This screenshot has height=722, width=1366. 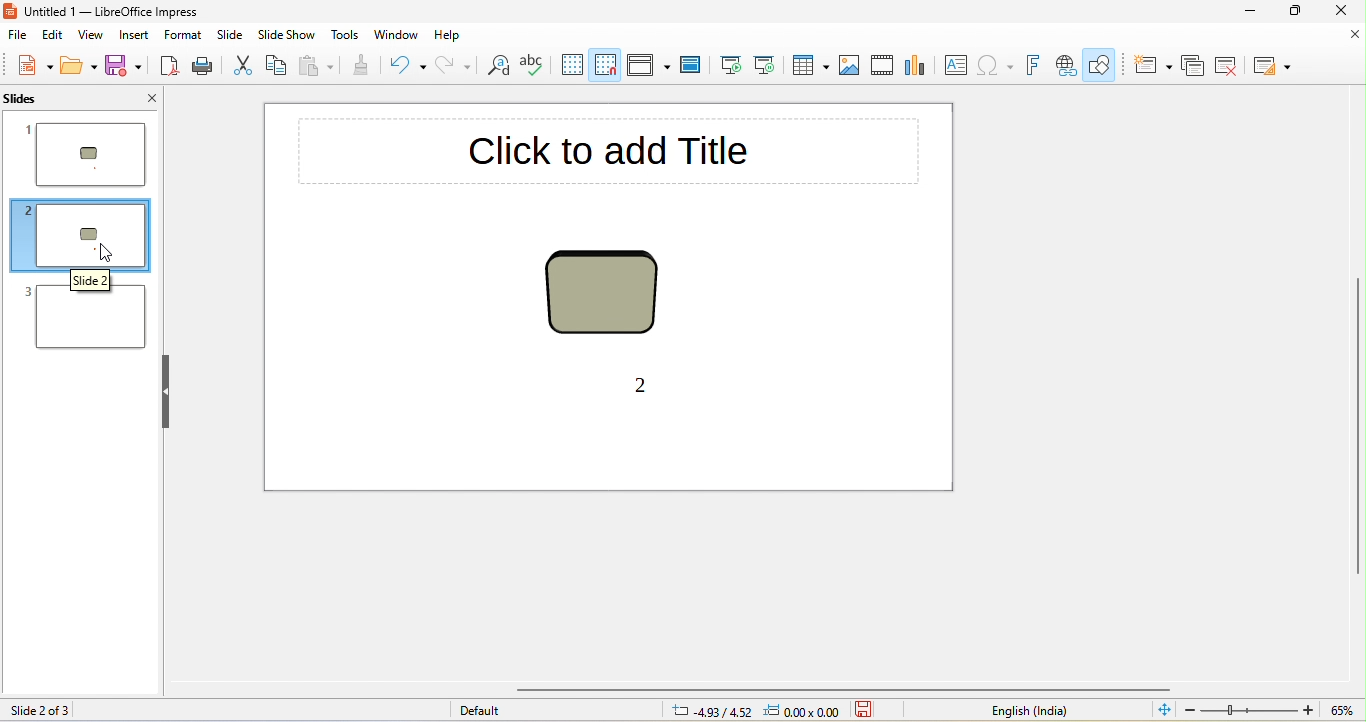 I want to click on image, so click(x=853, y=65).